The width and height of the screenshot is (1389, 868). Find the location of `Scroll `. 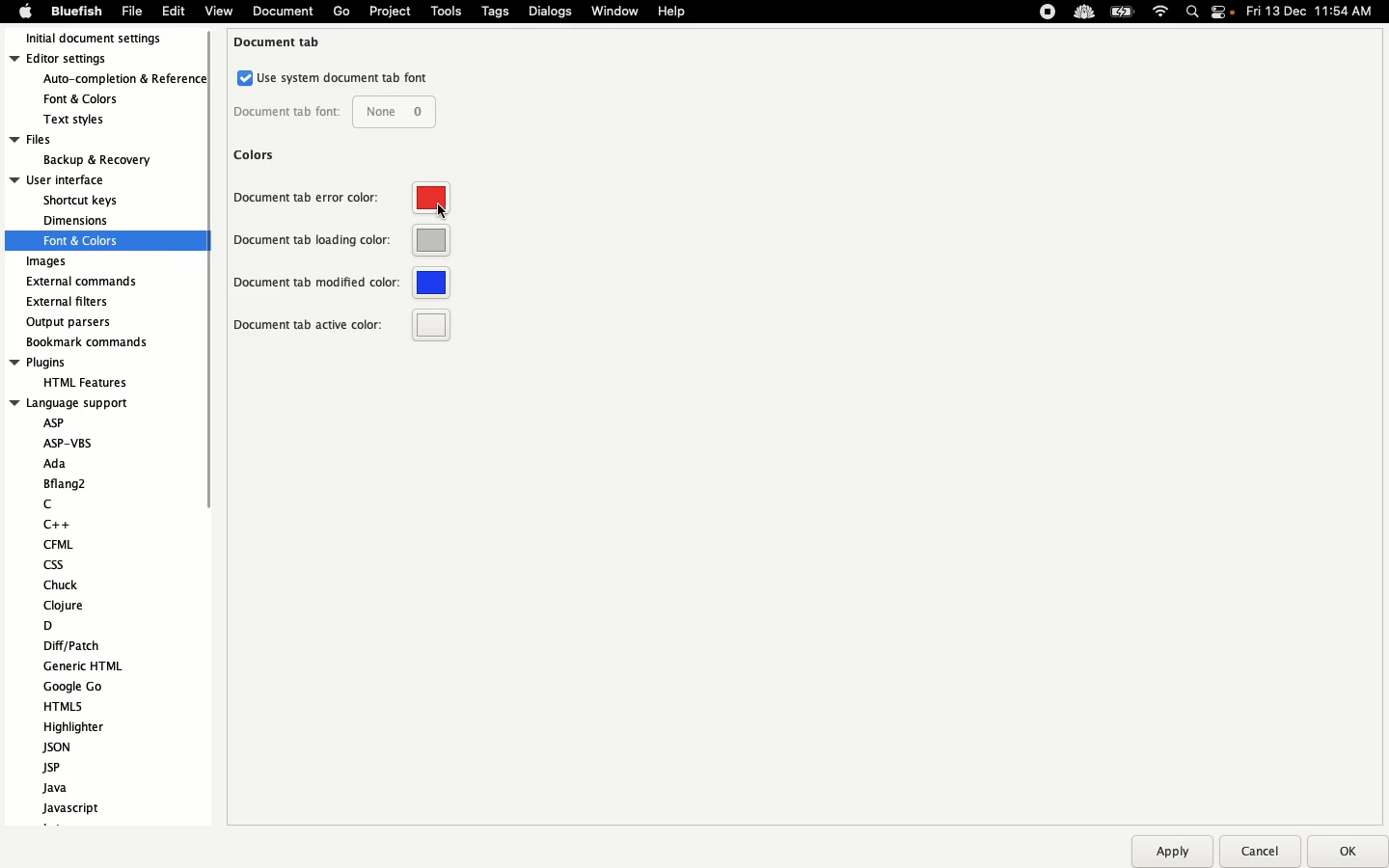

Scroll  is located at coordinates (204, 322).